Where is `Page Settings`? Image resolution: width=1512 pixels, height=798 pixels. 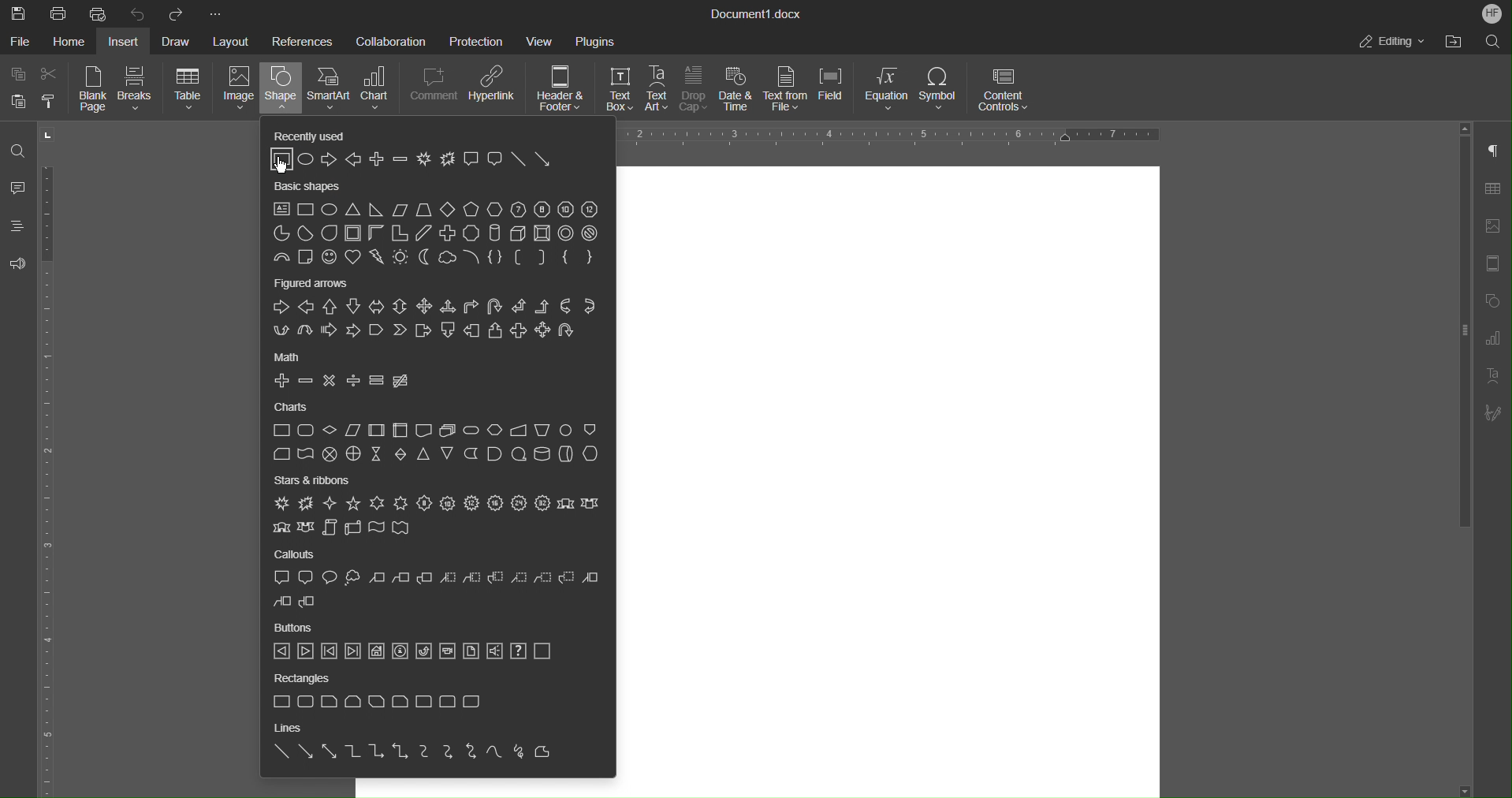 Page Settings is located at coordinates (1496, 263).